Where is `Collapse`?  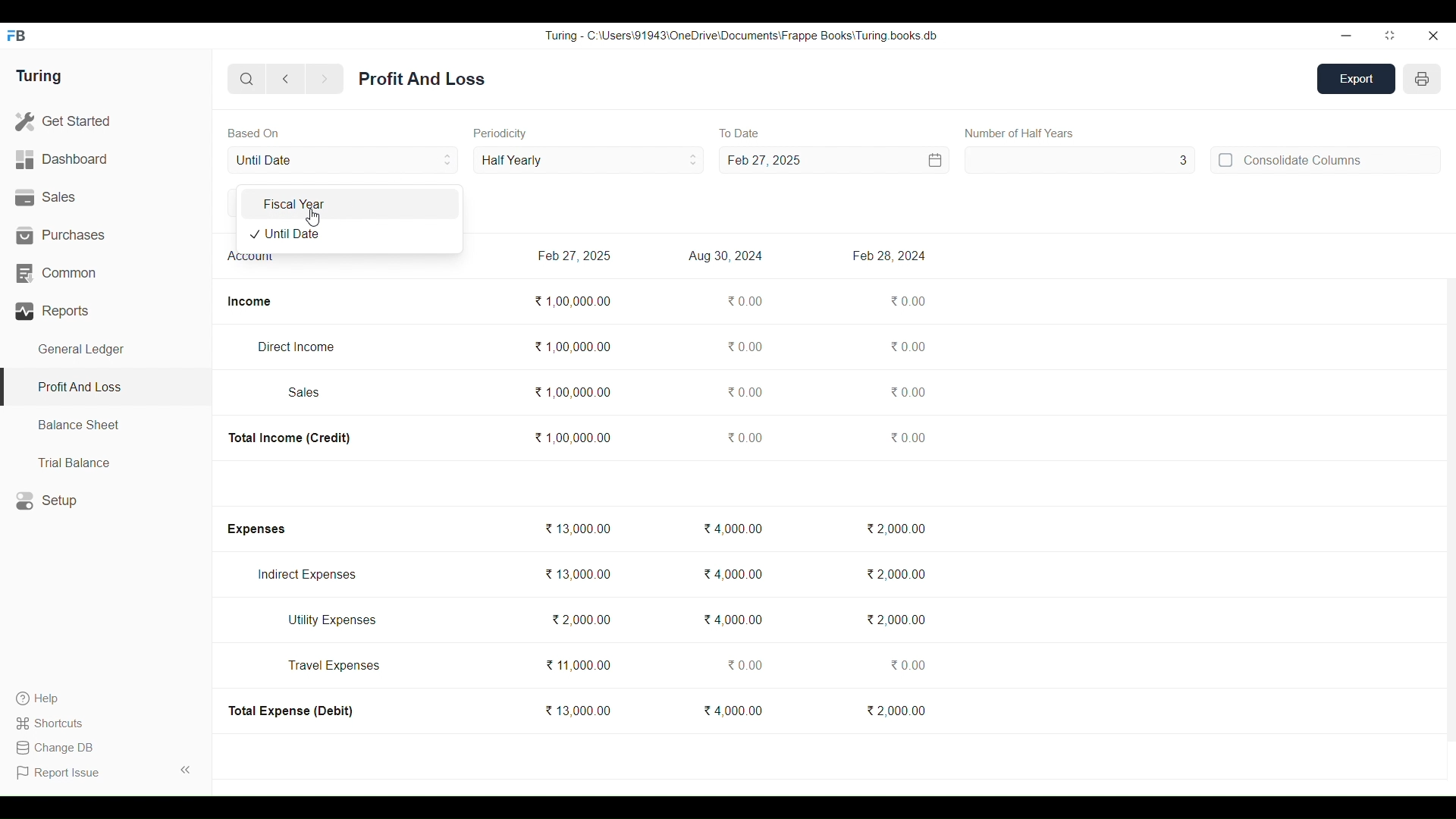 Collapse is located at coordinates (186, 770).